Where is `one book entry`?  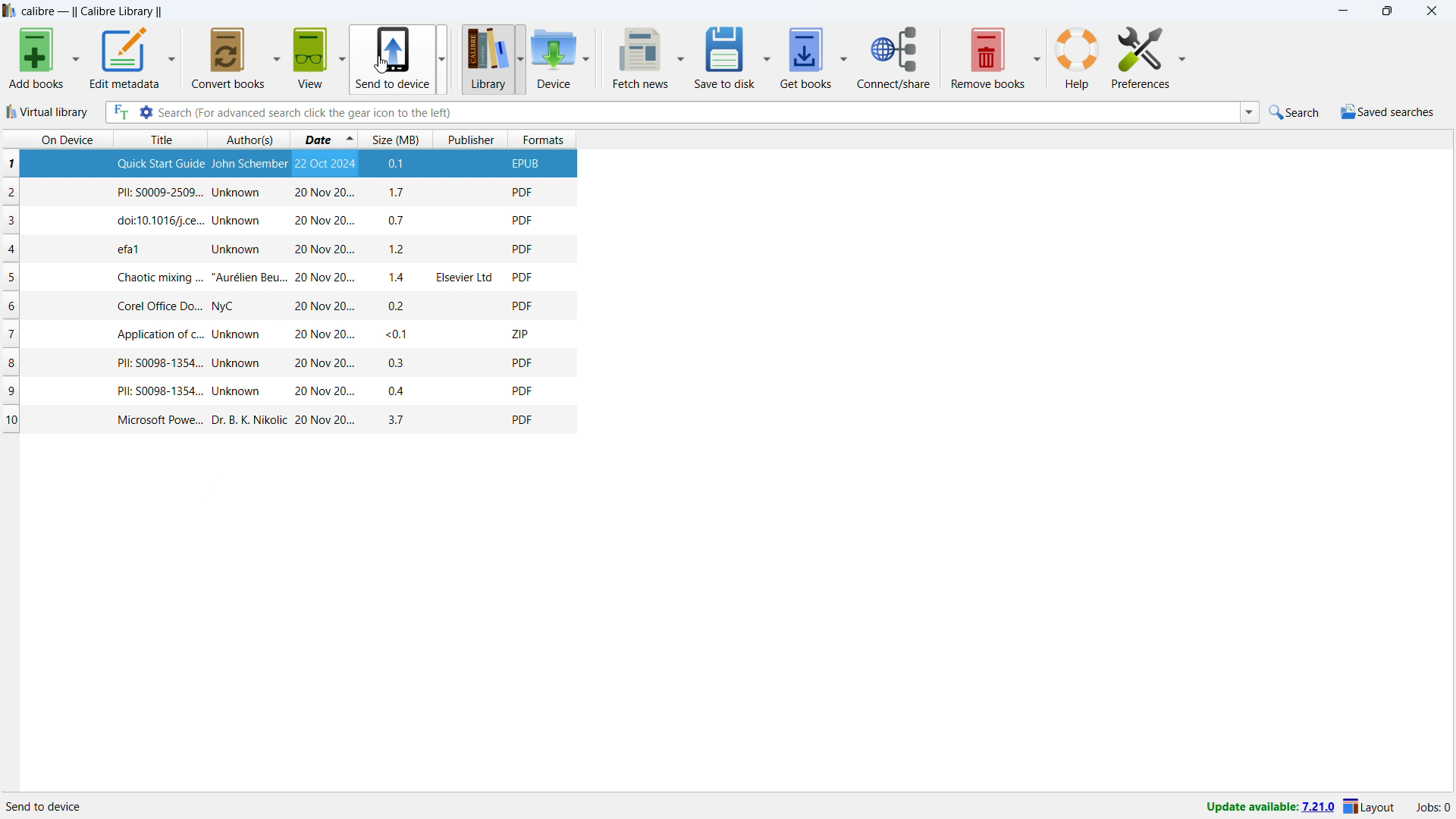 one book entry is located at coordinates (290, 391).